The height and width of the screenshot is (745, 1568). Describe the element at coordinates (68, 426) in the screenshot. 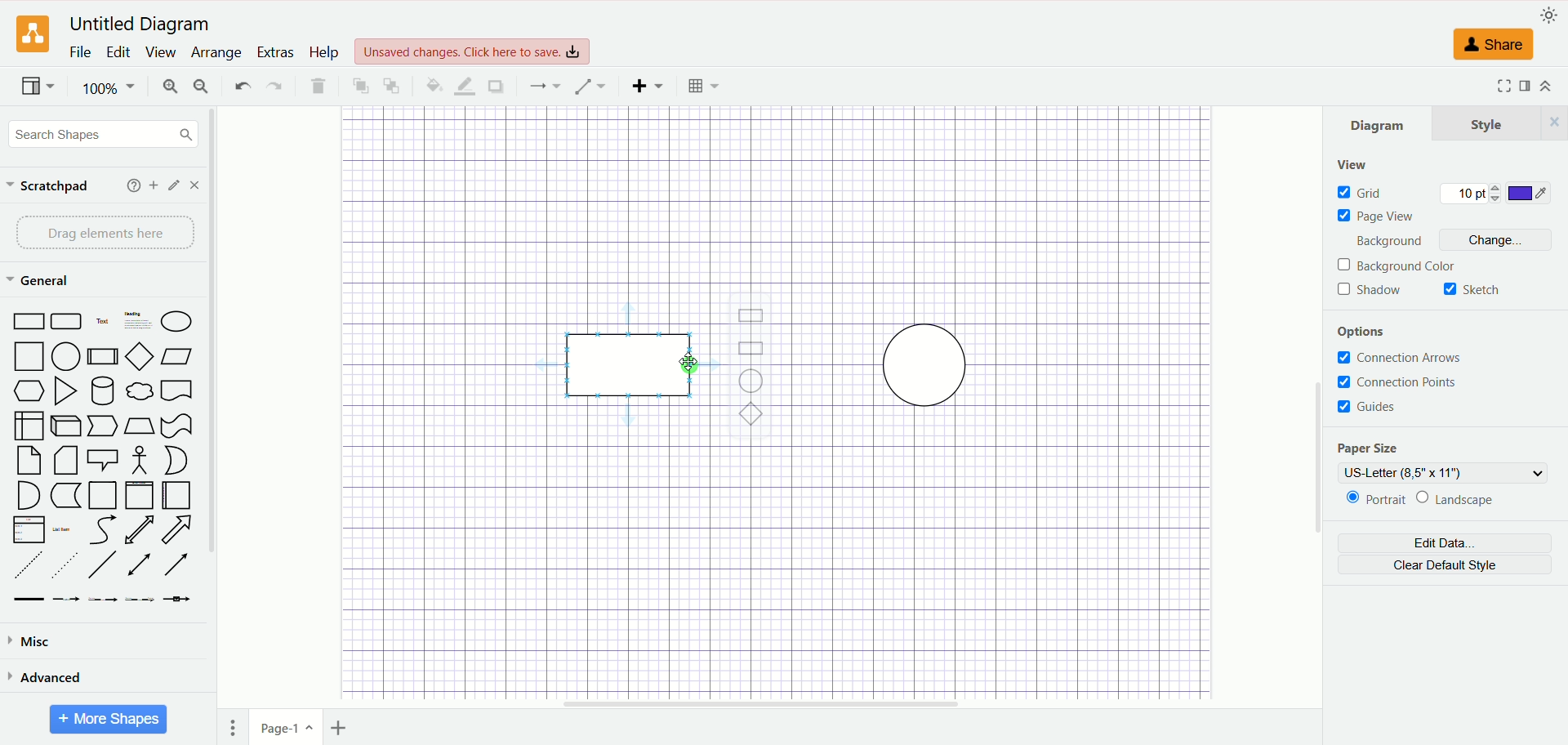

I see `Cuboid` at that location.